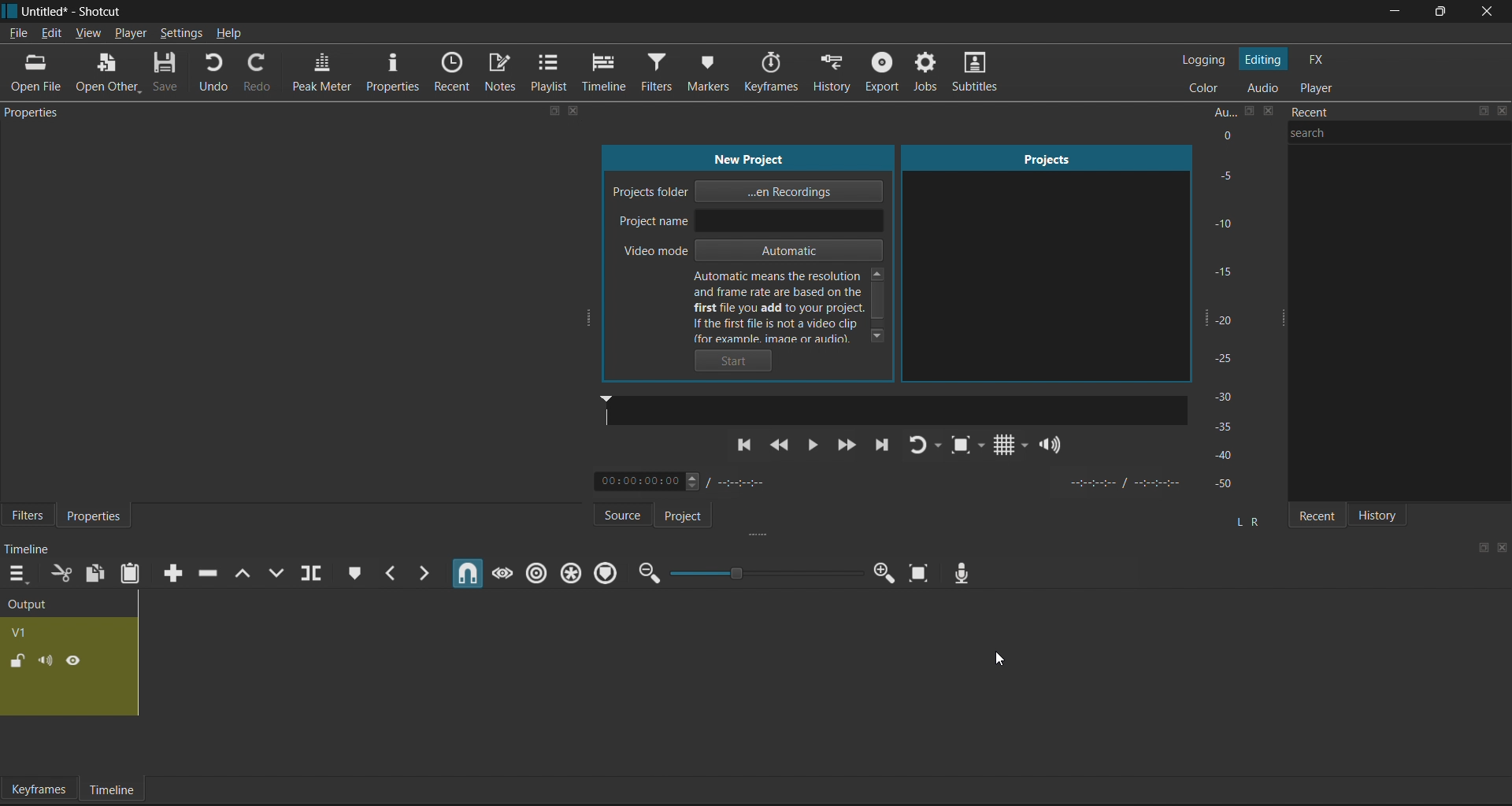  What do you see at coordinates (794, 305) in the screenshot?
I see `help text` at bounding box center [794, 305].